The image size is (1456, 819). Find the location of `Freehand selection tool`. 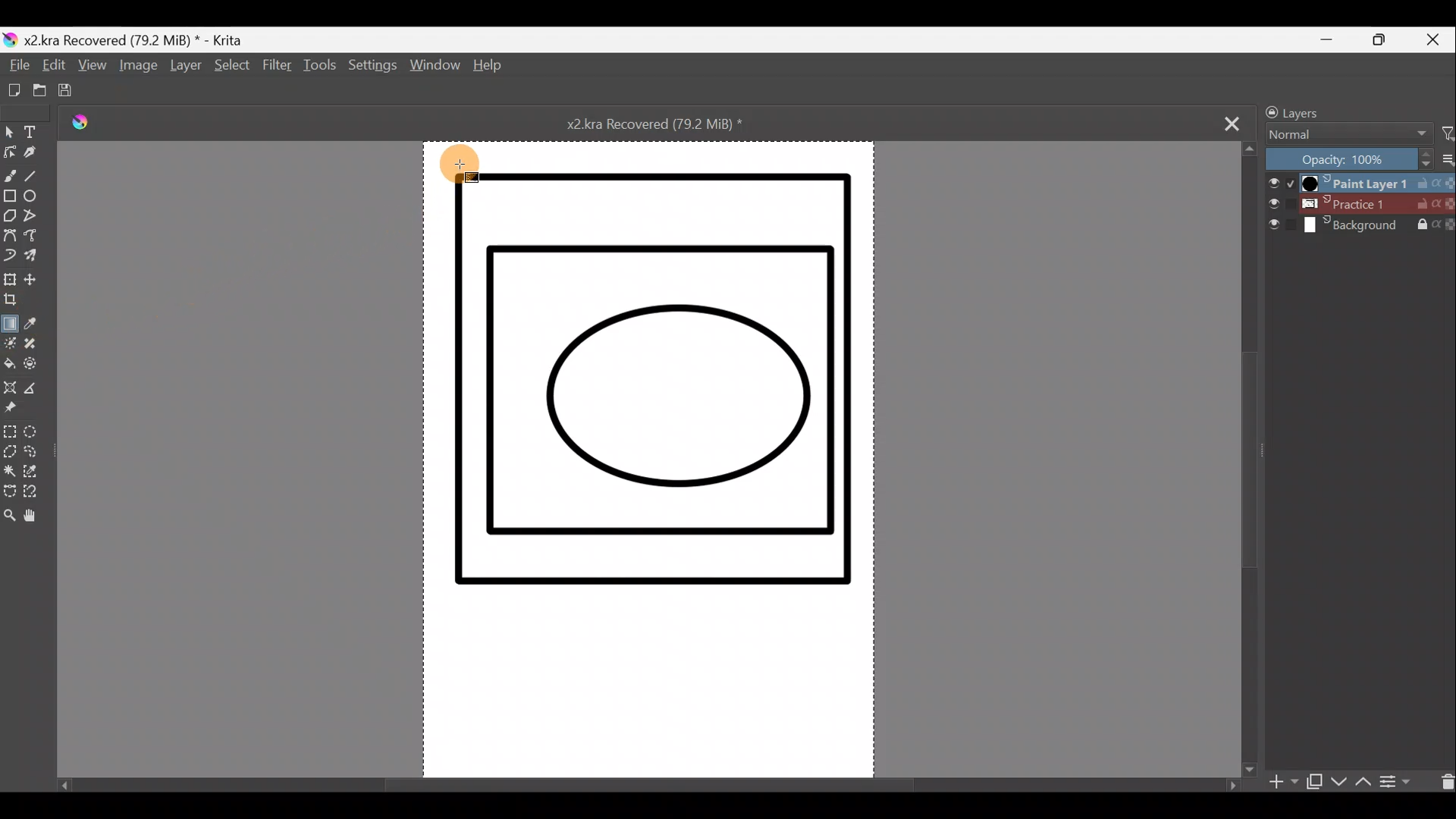

Freehand selection tool is located at coordinates (38, 454).